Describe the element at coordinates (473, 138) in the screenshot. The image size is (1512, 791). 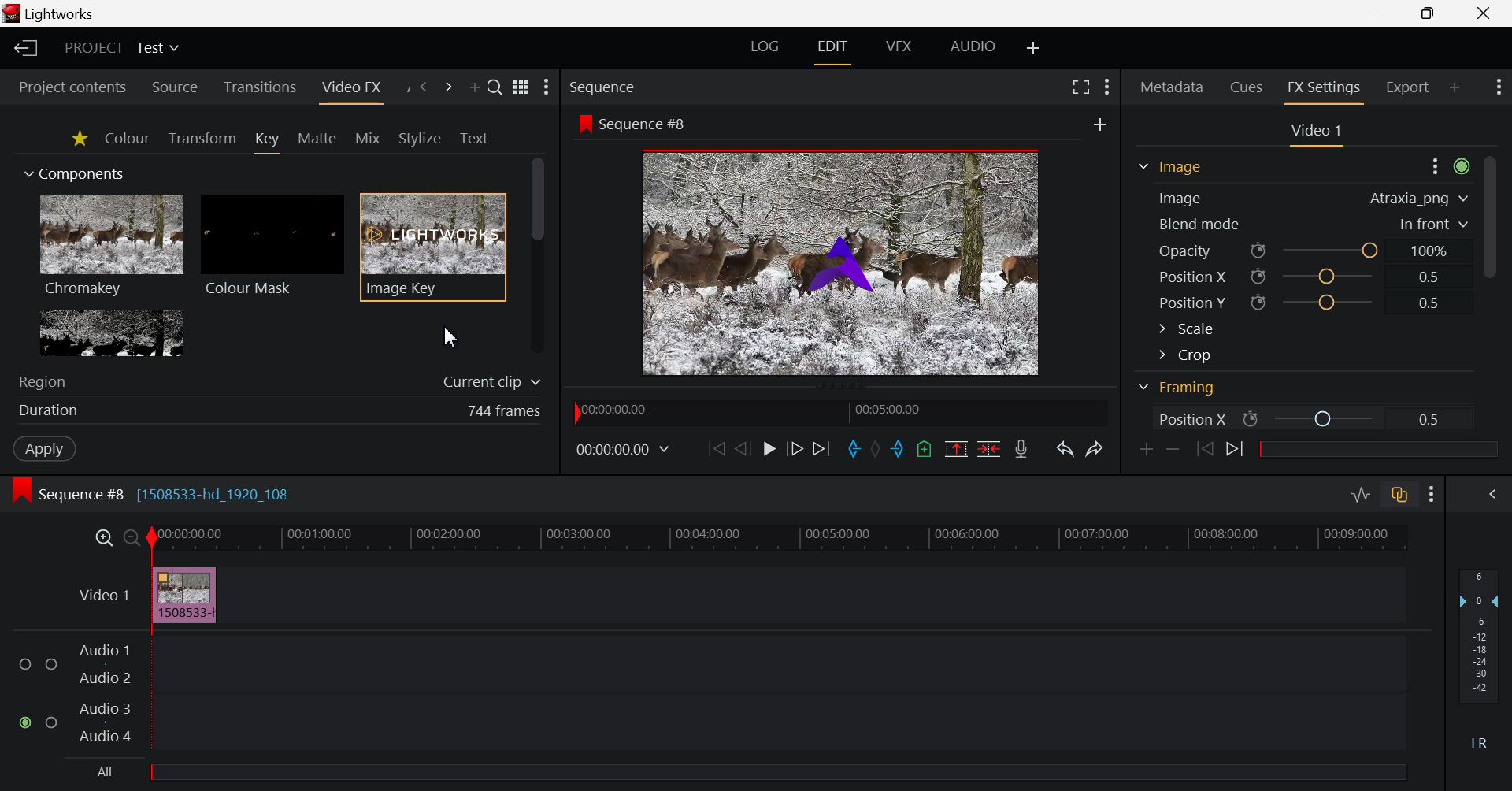
I see `Text` at that location.